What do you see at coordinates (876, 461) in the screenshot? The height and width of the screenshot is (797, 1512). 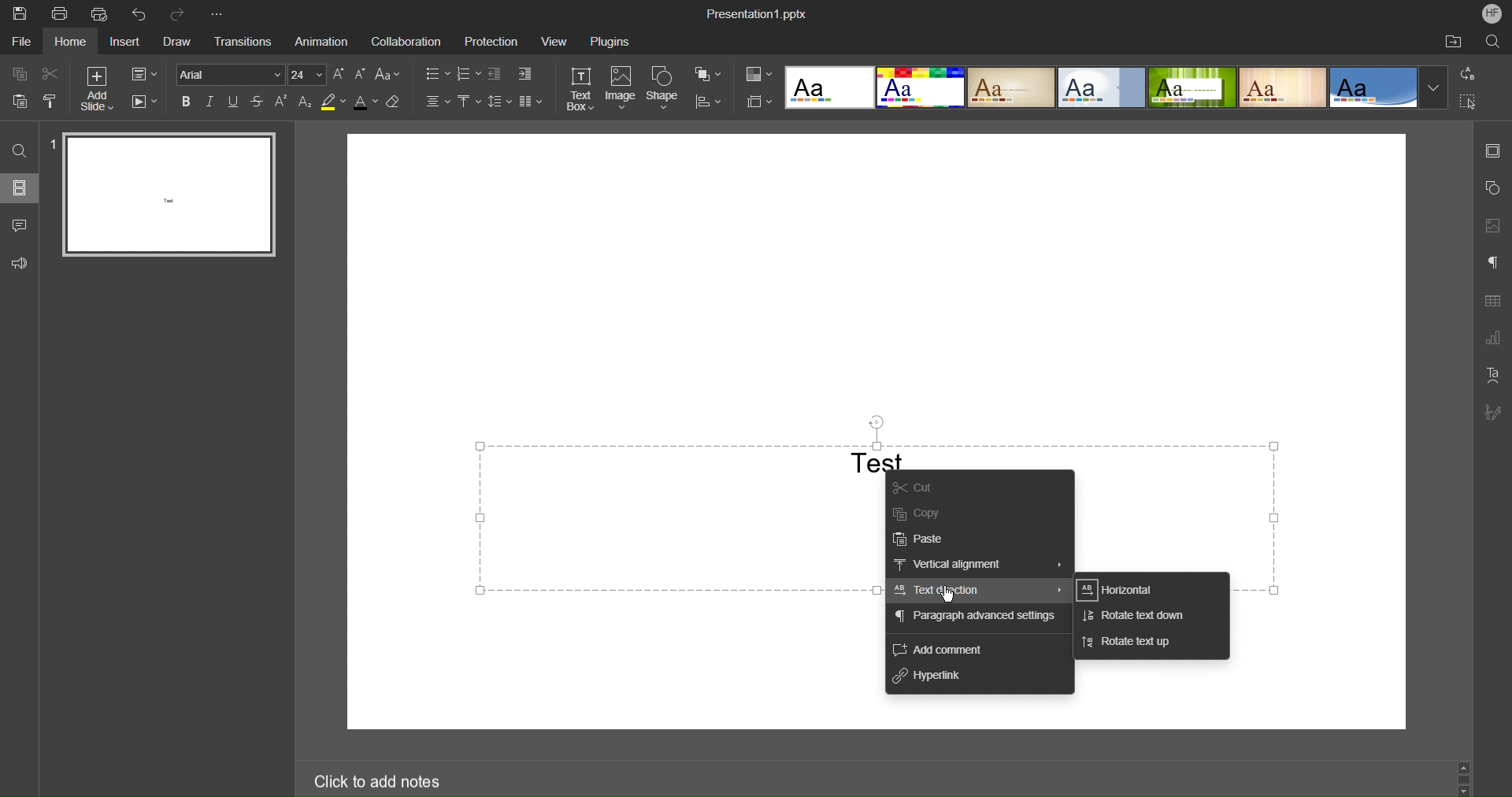 I see `Test` at bounding box center [876, 461].